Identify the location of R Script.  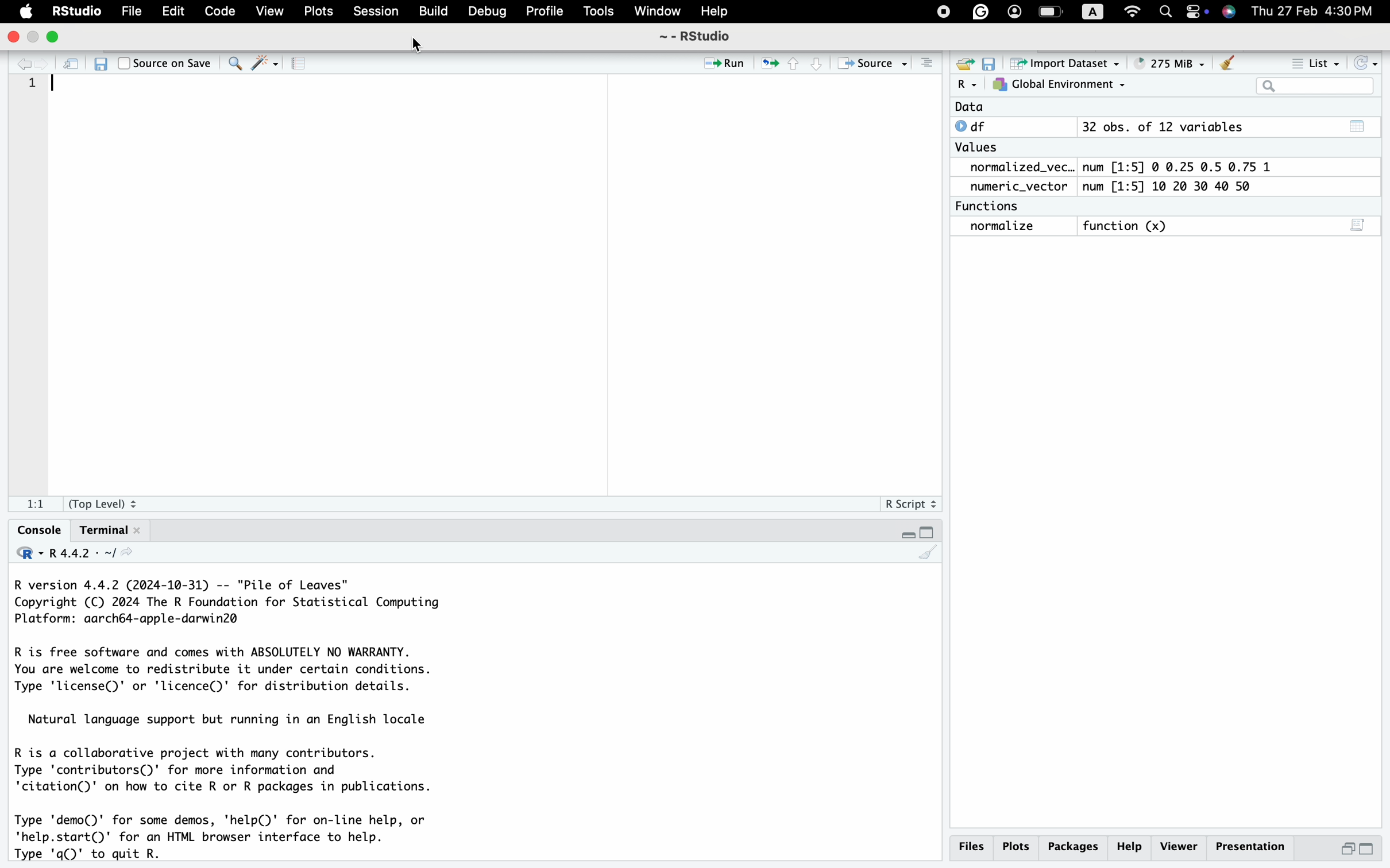
(911, 505).